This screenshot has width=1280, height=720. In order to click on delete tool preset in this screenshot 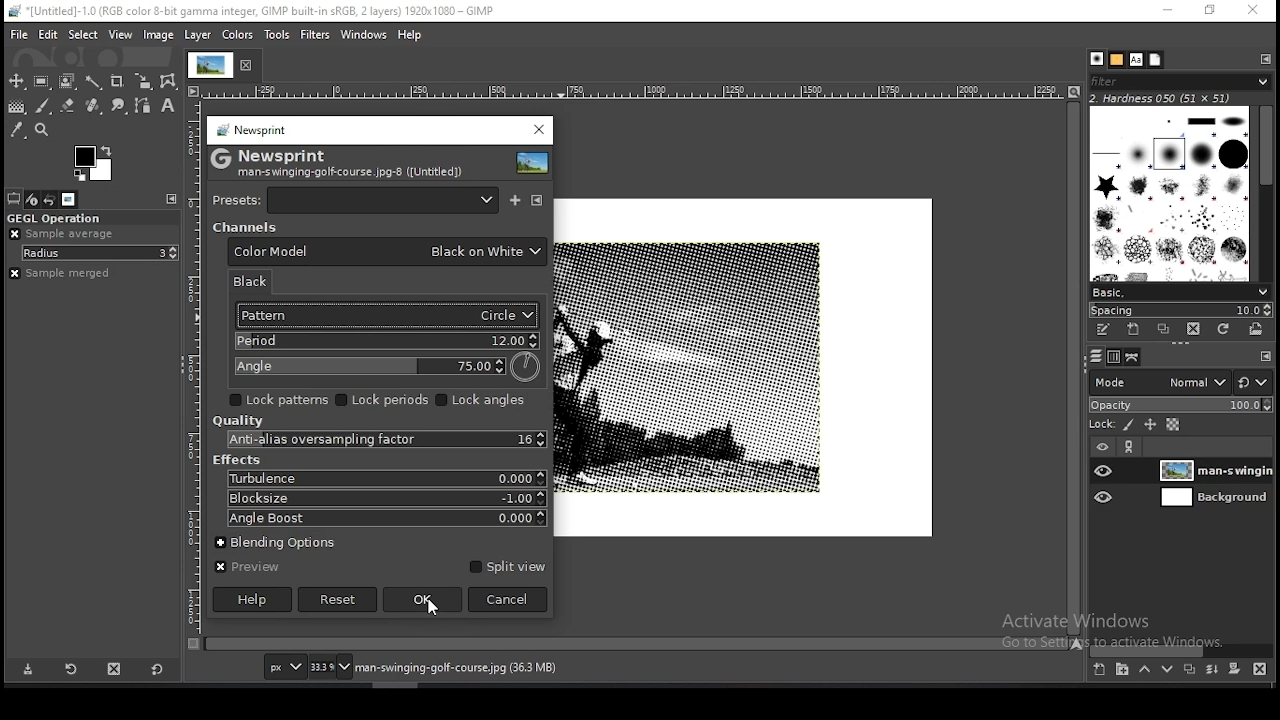, I will do `click(113, 669)`.